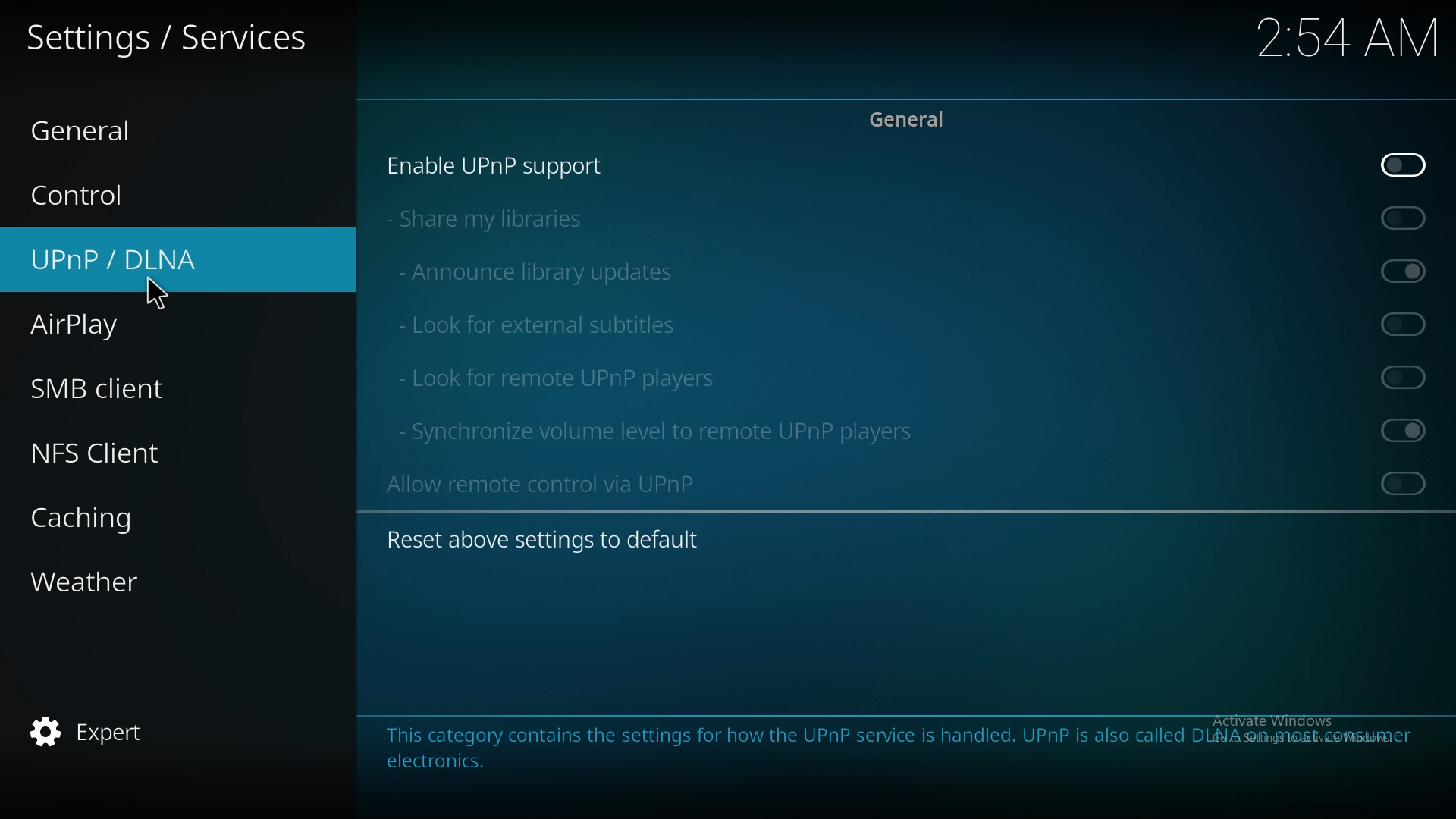 The height and width of the screenshot is (819, 1456). Describe the element at coordinates (168, 42) in the screenshot. I see `services` at that location.